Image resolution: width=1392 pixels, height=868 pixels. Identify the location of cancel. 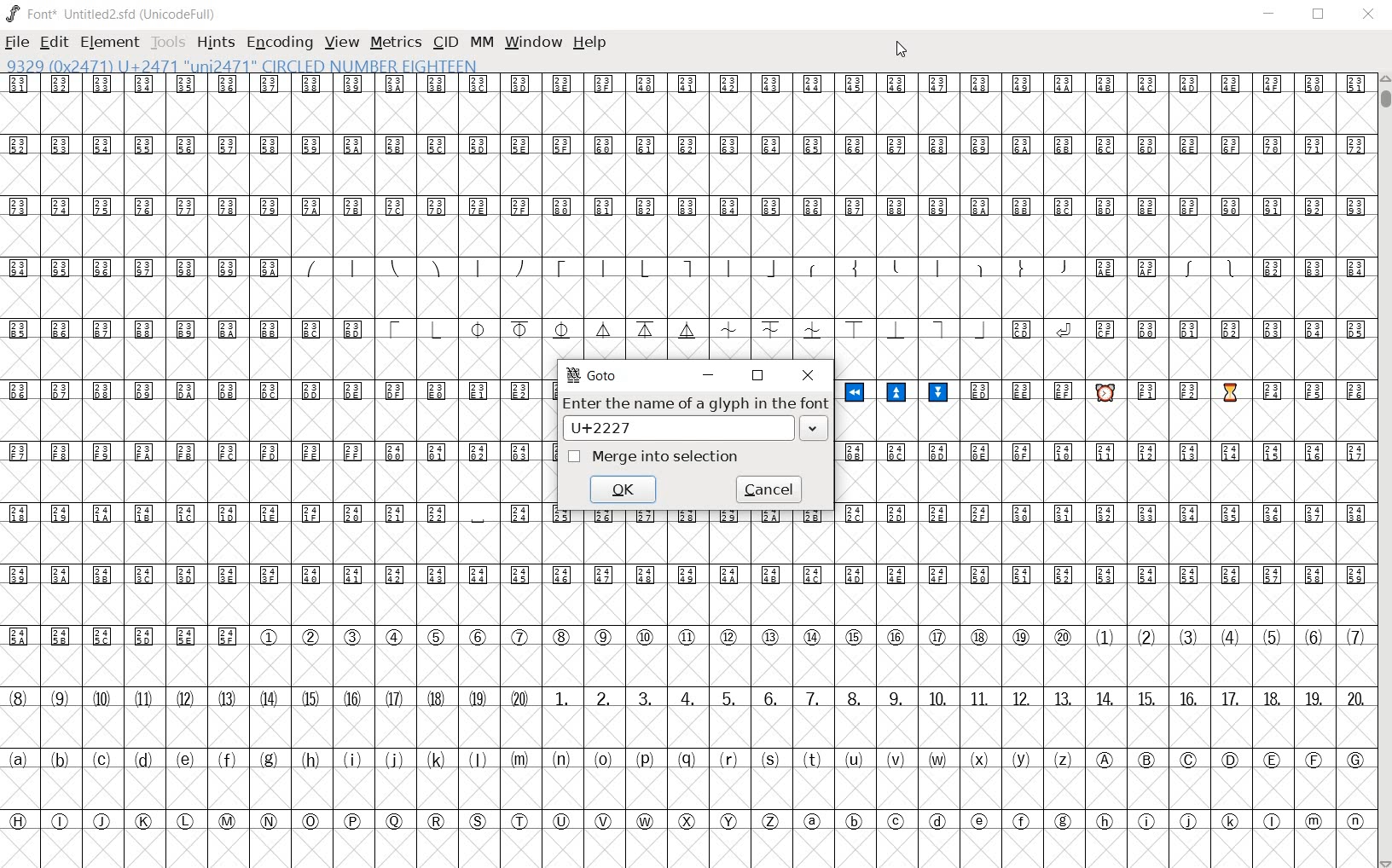
(772, 489).